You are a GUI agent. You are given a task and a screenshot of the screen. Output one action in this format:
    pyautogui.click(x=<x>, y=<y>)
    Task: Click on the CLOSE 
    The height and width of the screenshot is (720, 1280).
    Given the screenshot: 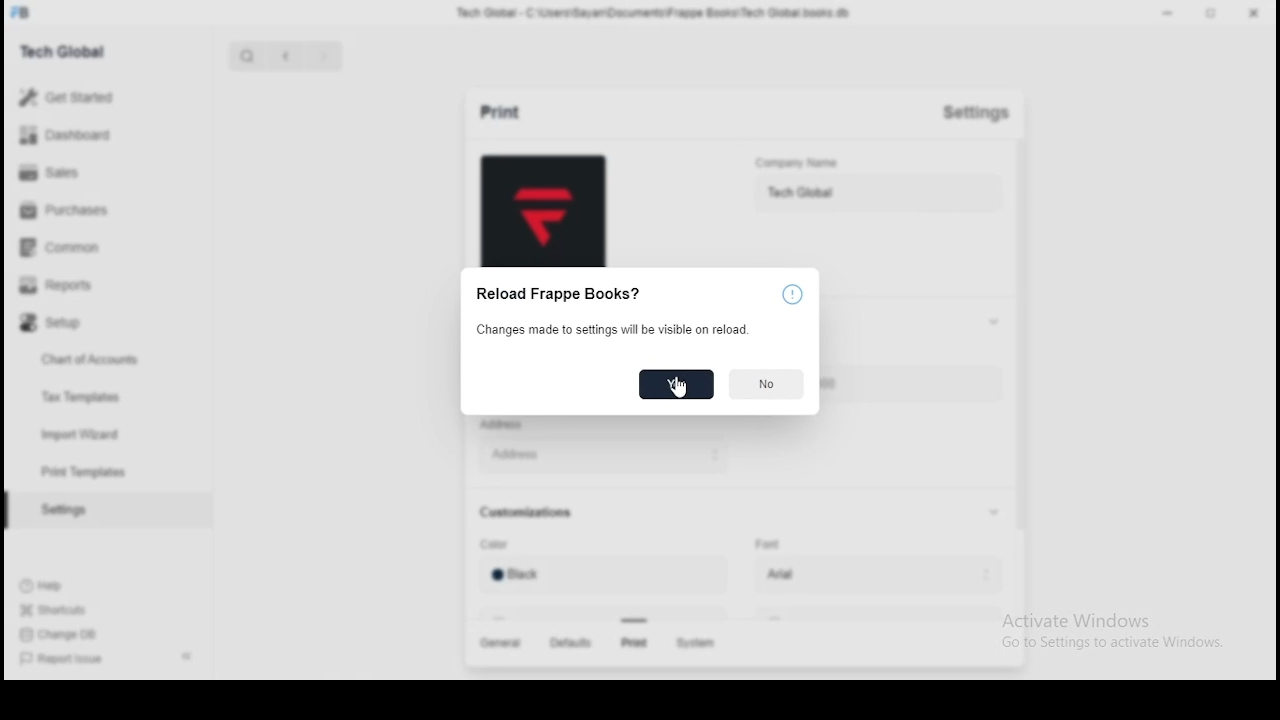 What is the action you would take?
    pyautogui.click(x=1255, y=13)
    